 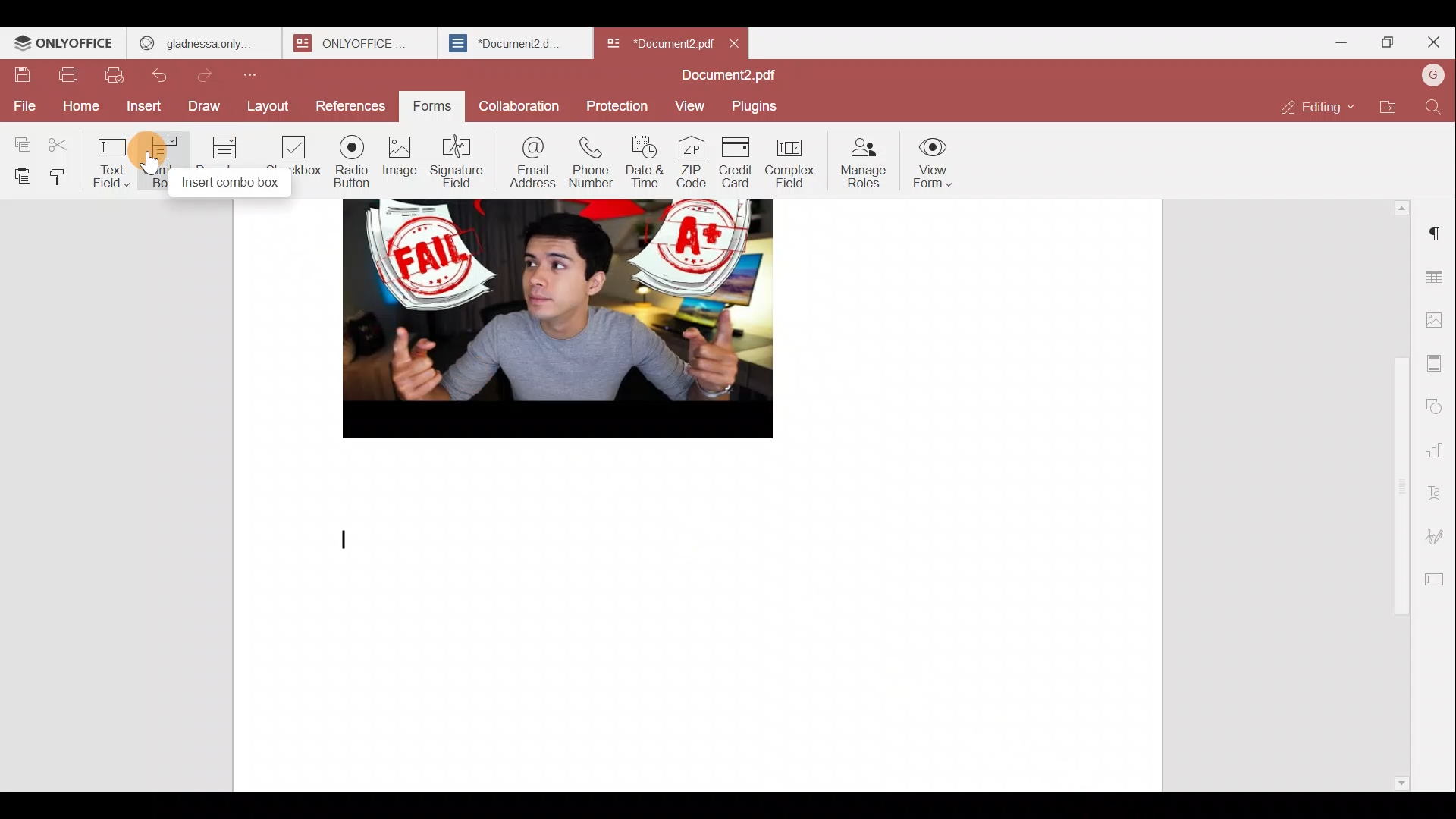 What do you see at coordinates (728, 75) in the screenshot?
I see `Document2.pdf` at bounding box center [728, 75].